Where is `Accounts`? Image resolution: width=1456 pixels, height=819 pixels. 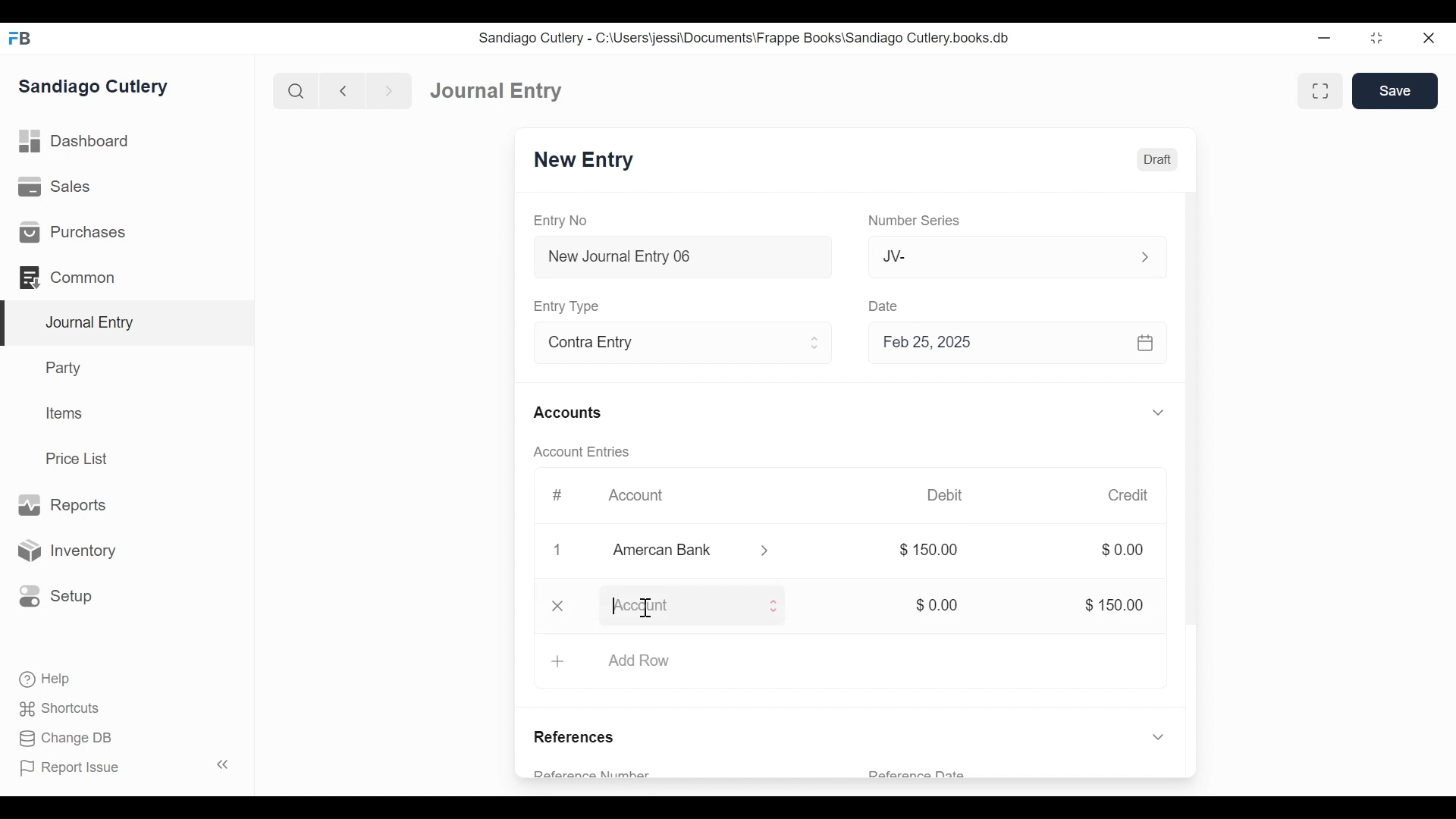
Accounts is located at coordinates (572, 414).